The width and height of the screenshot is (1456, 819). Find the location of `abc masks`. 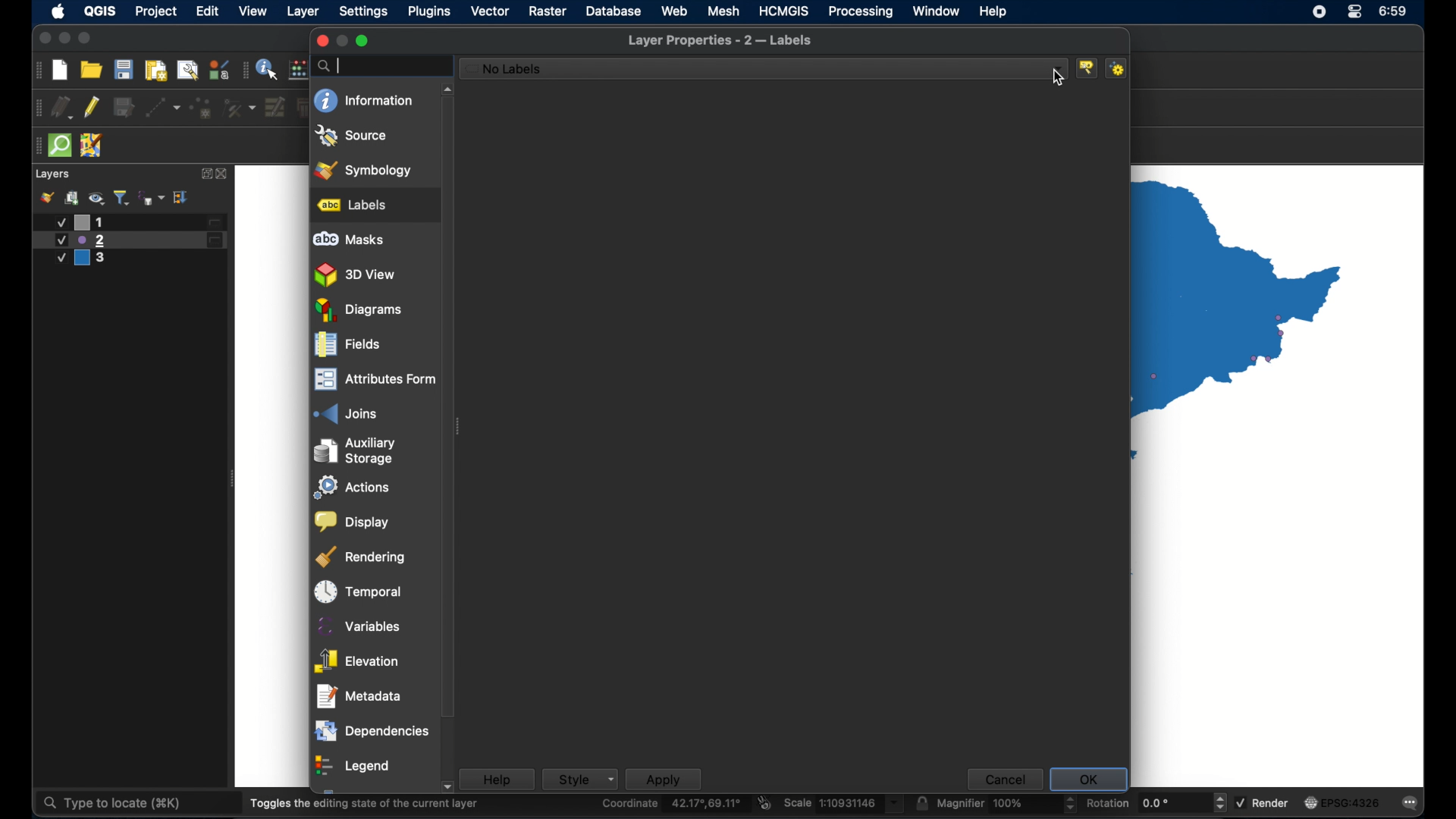

abc masks is located at coordinates (350, 240).